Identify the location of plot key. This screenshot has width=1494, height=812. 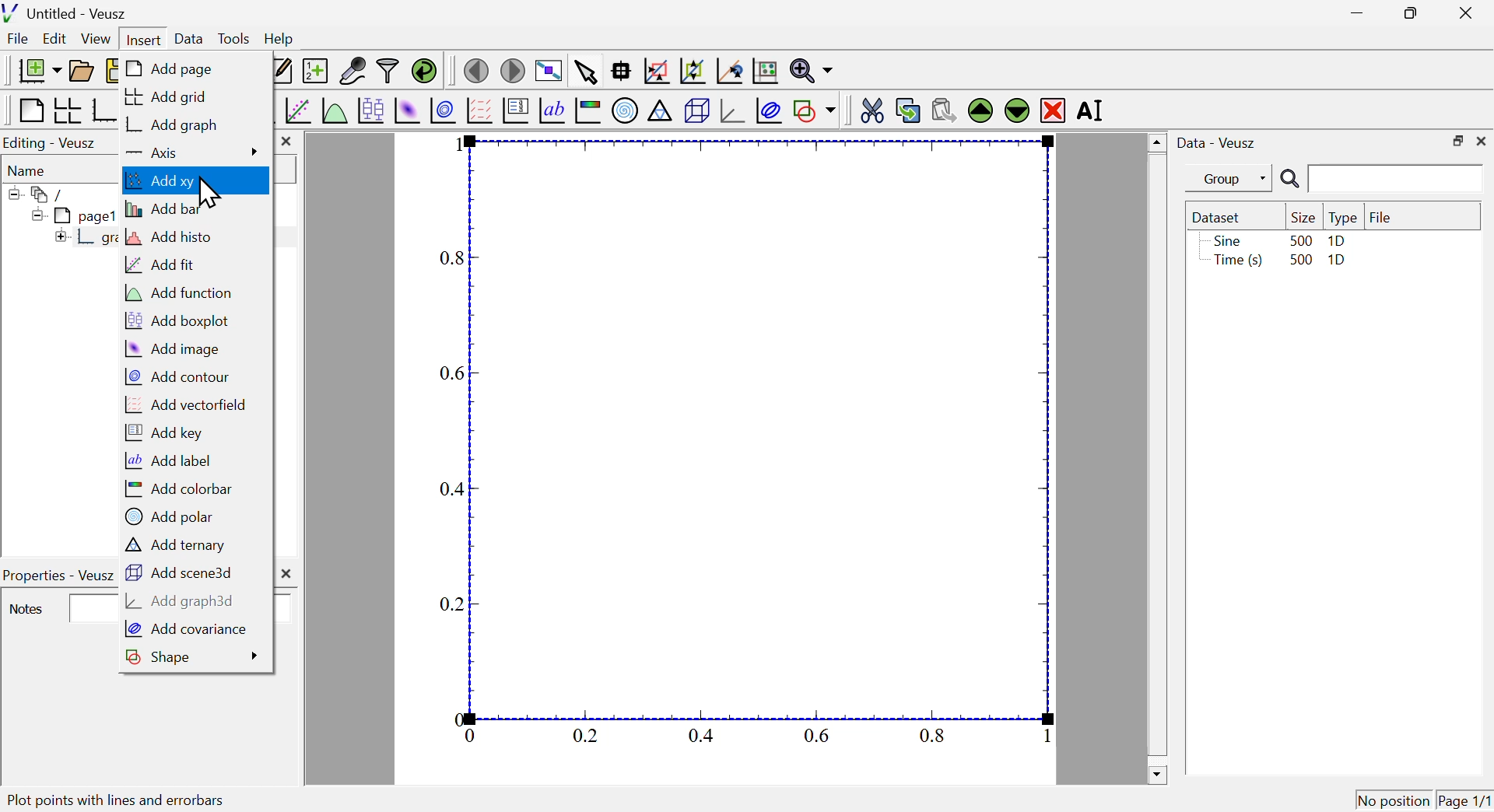
(516, 113).